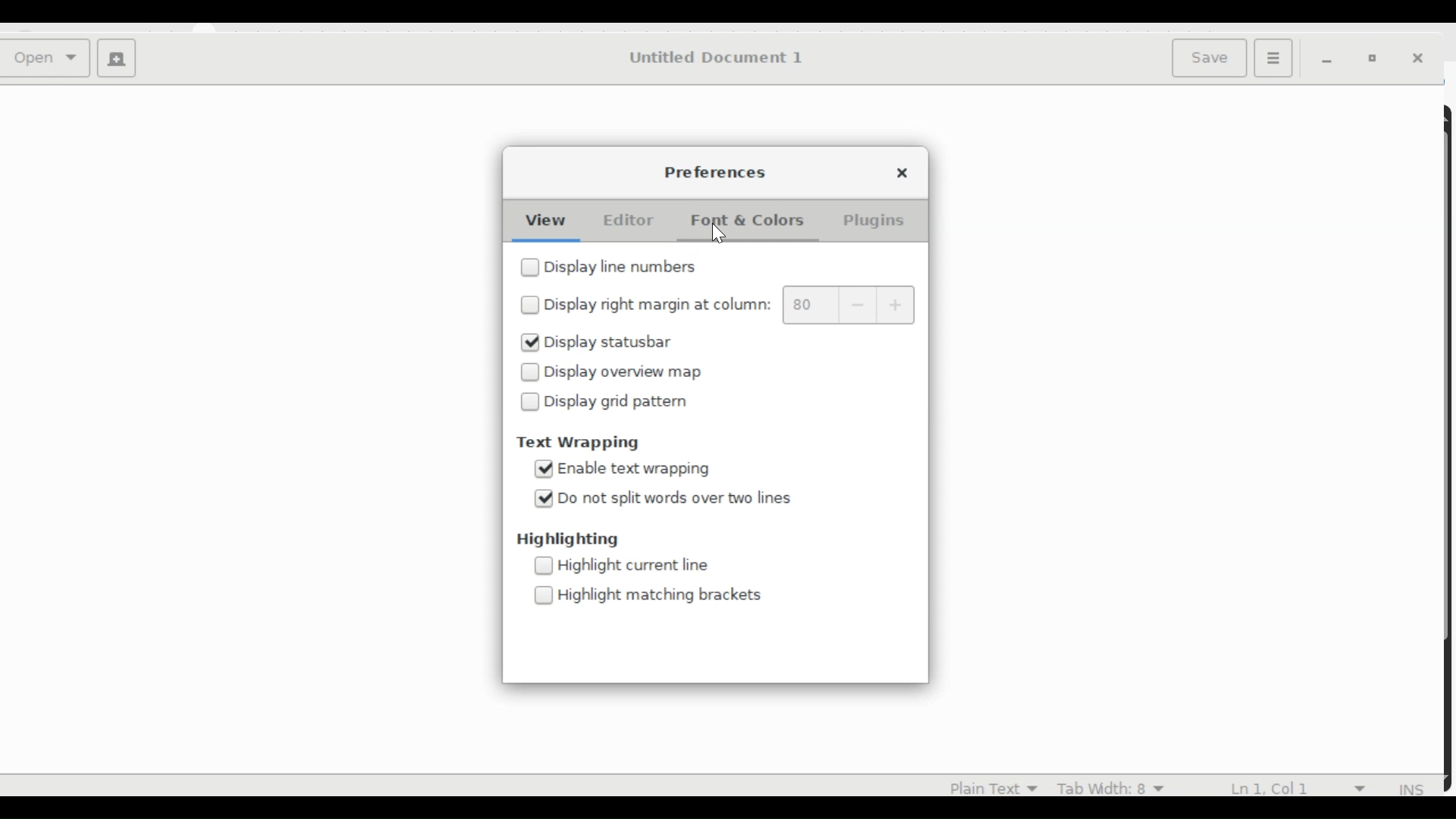  Describe the element at coordinates (623, 265) in the screenshot. I see `Display line numbers` at that location.